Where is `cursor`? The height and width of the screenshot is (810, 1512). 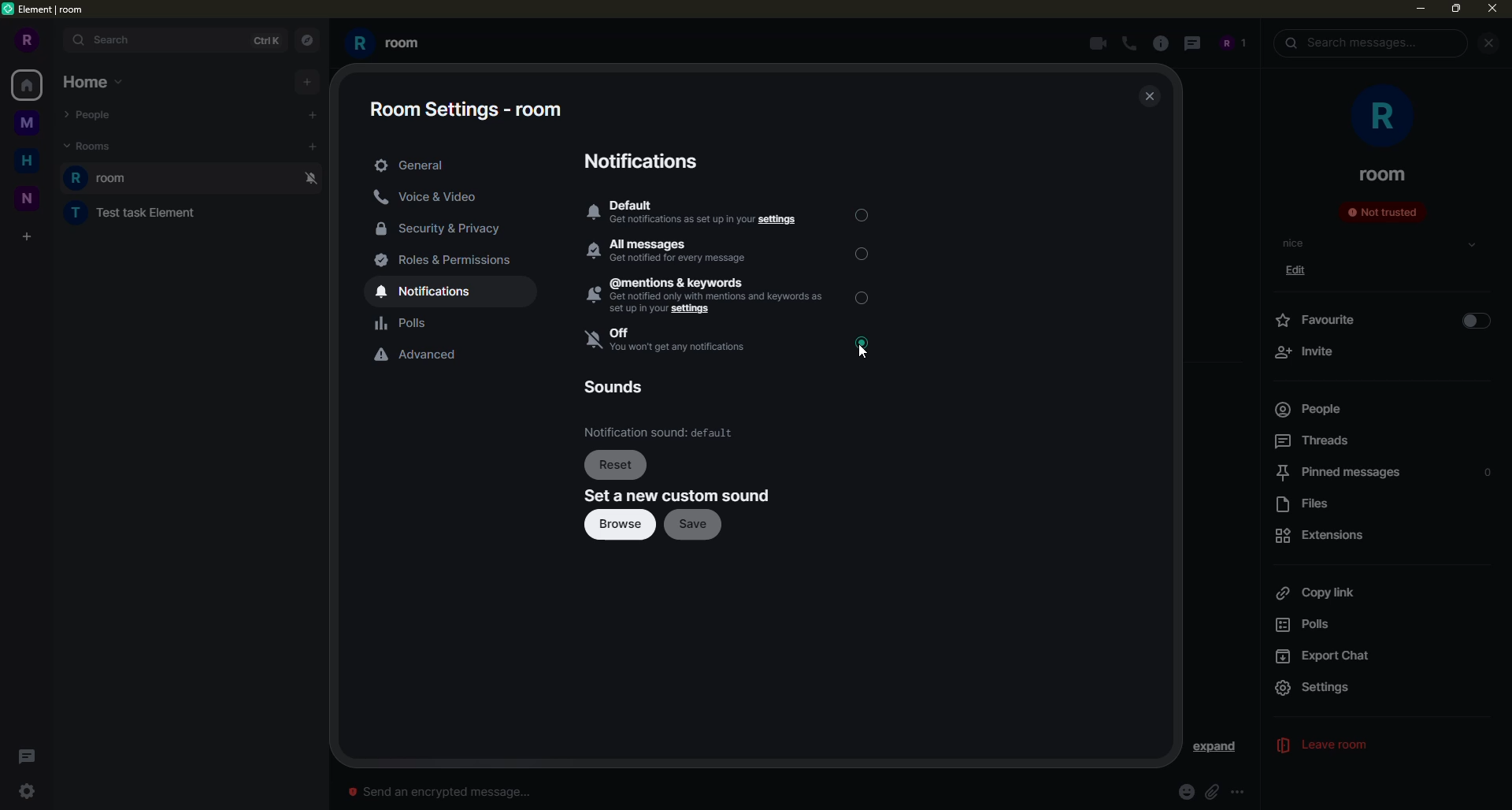
cursor is located at coordinates (865, 344).